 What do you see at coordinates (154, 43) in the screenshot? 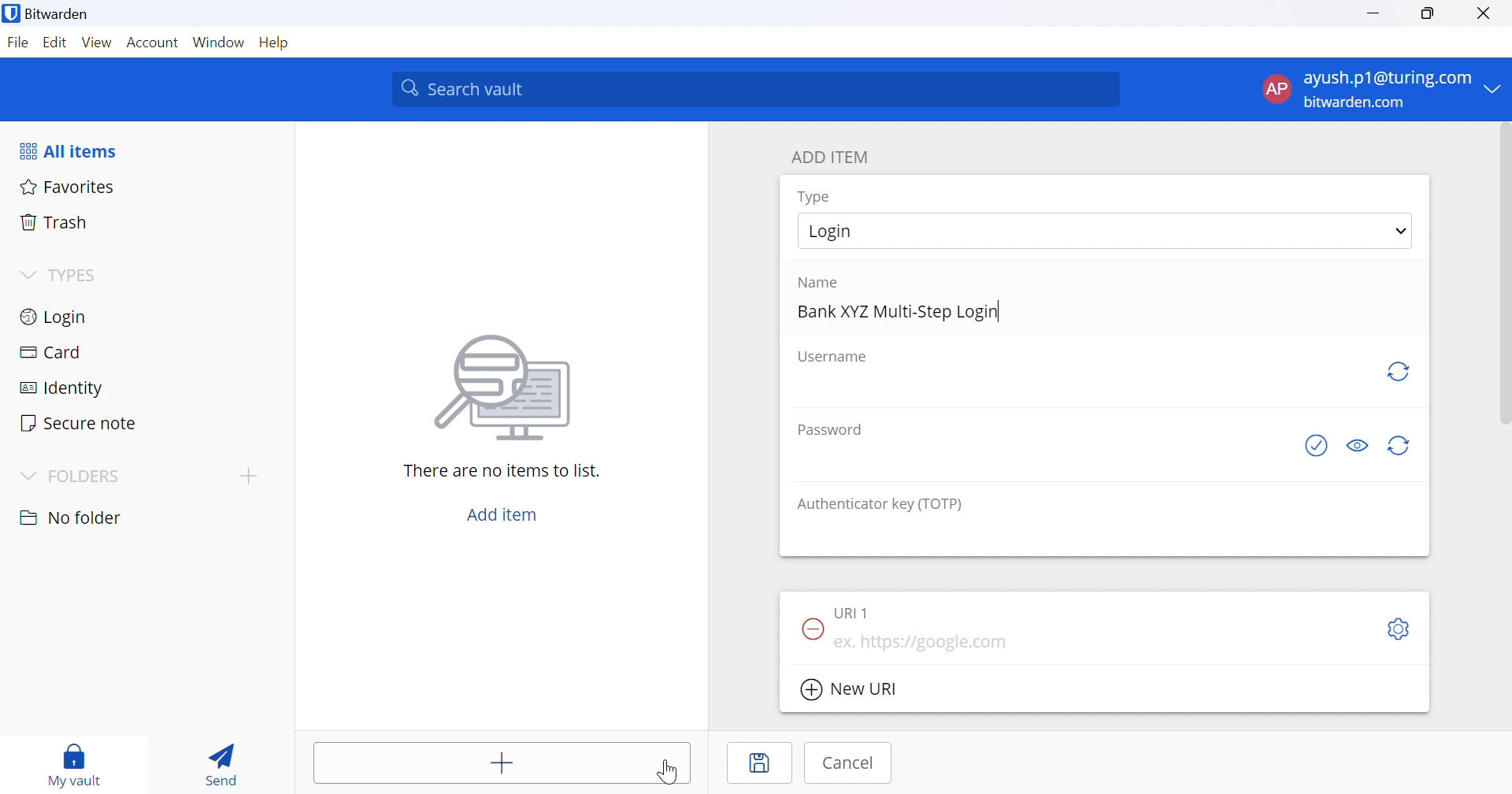
I see `Account` at bounding box center [154, 43].